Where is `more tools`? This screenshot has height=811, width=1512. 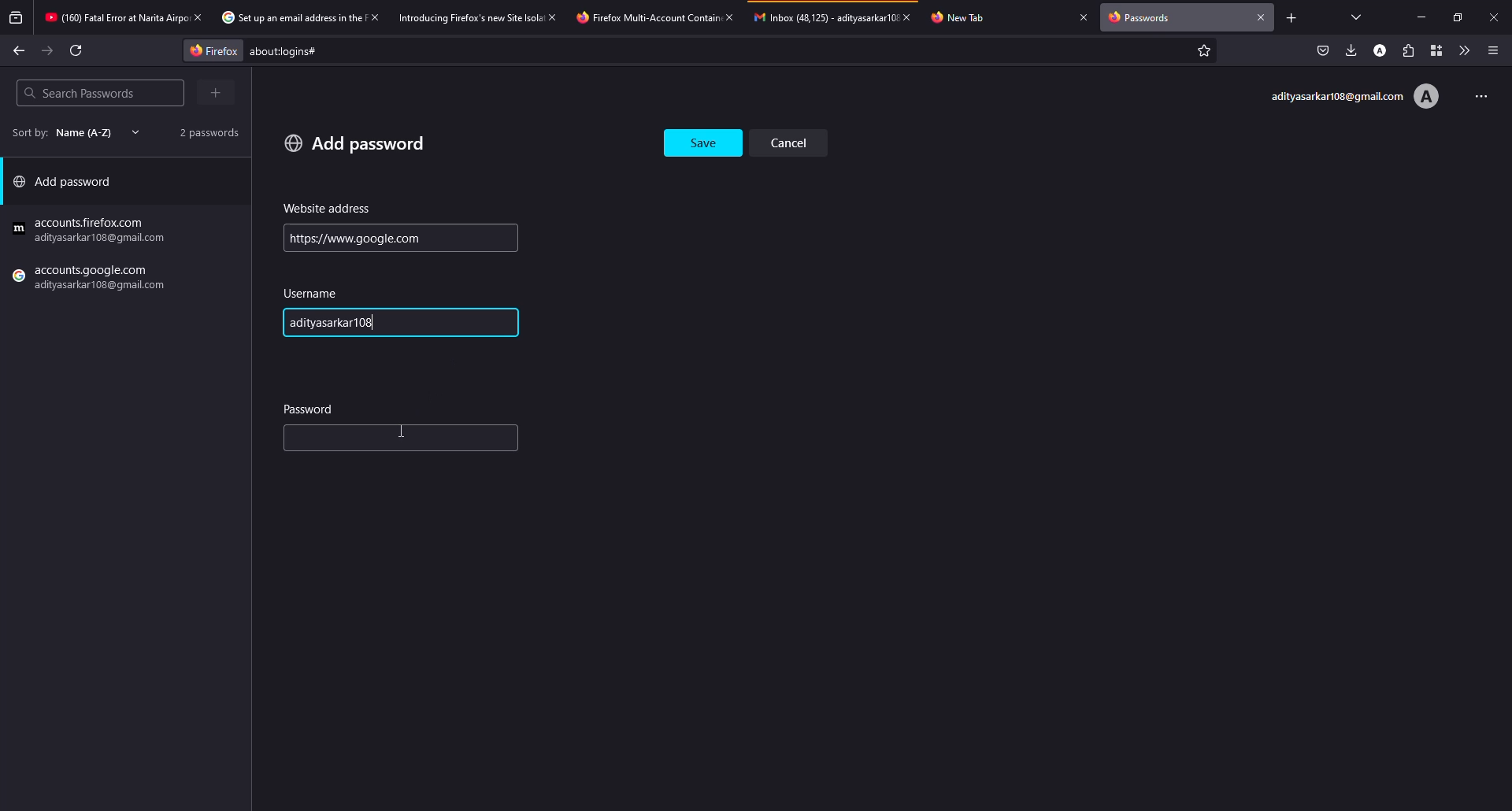
more tools is located at coordinates (1461, 50).